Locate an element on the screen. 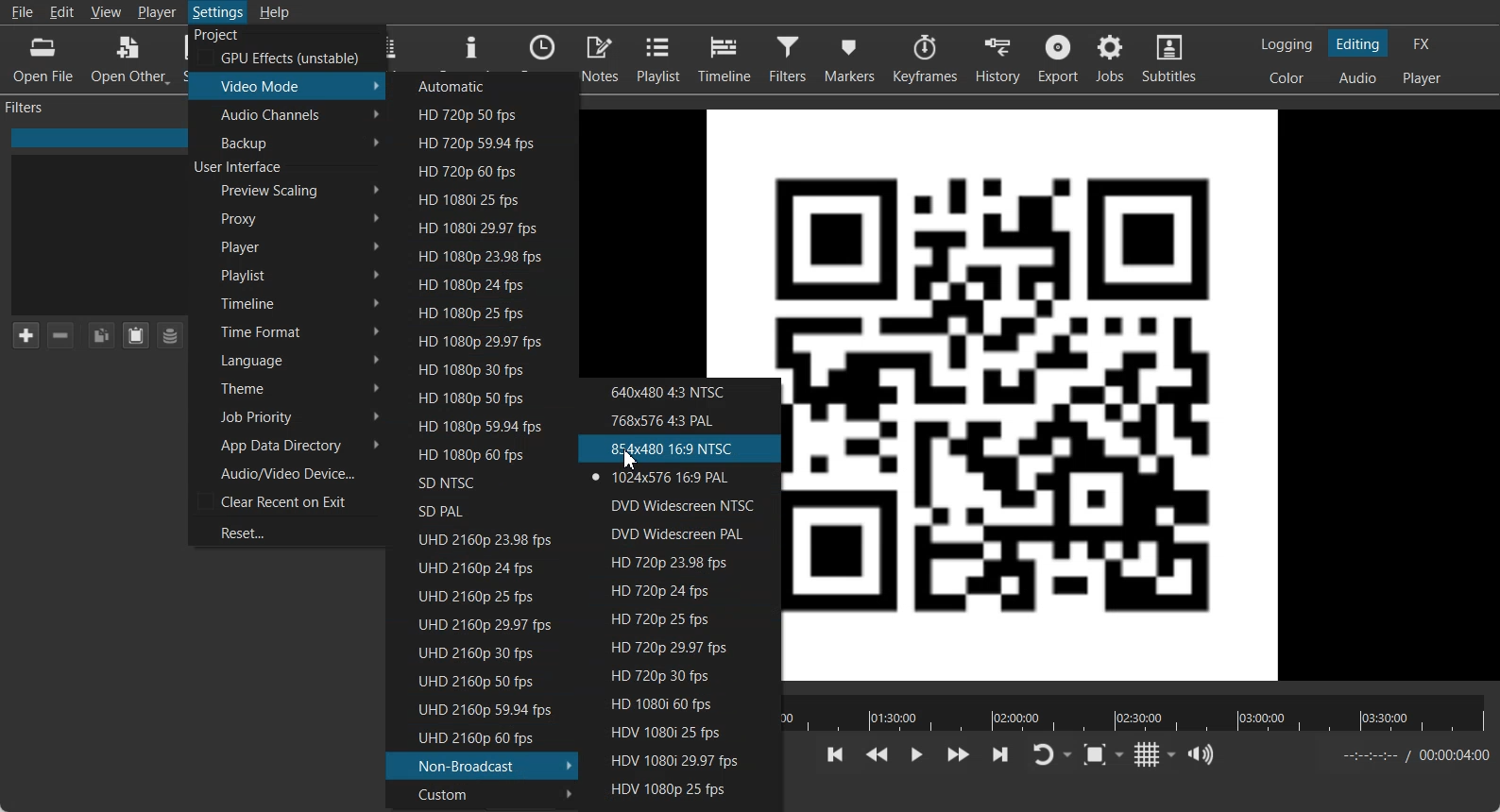  Copy Filter is located at coordinates (100, 335).